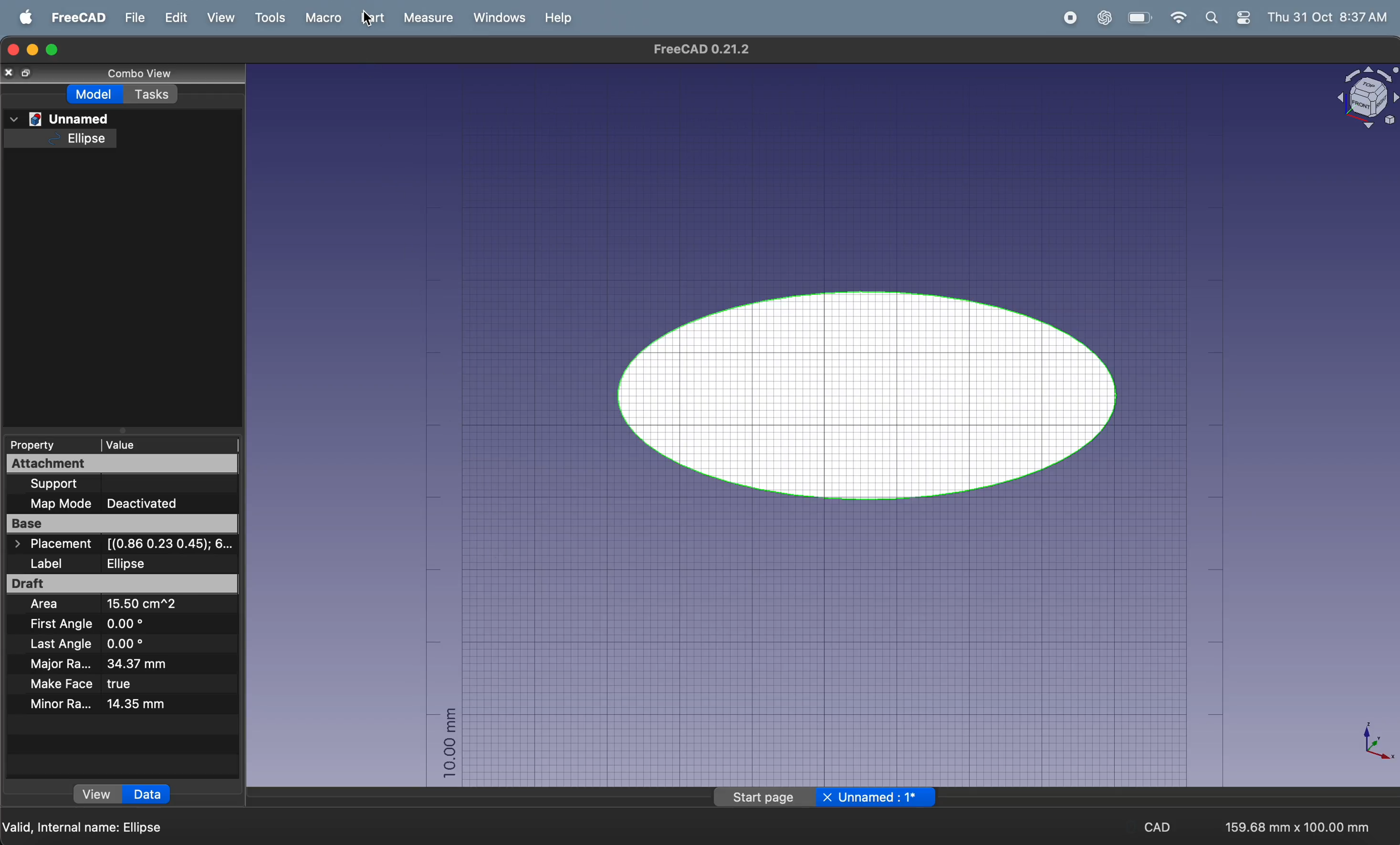 This screenshot has height=845, width=1400. What do you see at coordinates (828, 798) in the screenshot?
I see `page title` at bounding box center [828, 798].